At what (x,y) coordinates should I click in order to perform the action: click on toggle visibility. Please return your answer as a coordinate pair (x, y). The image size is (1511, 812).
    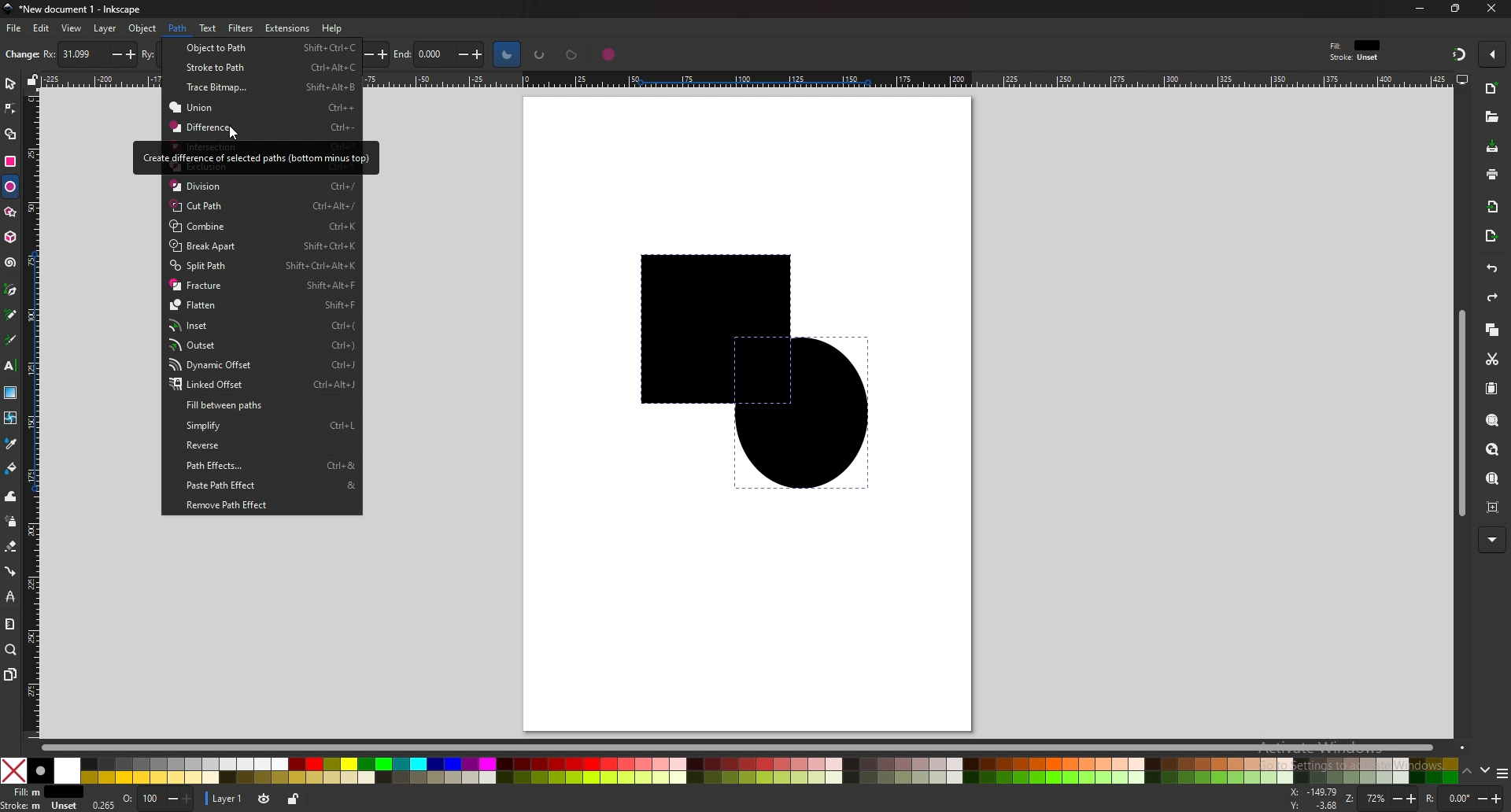
    Looking at the image, I should click on (262, 799).